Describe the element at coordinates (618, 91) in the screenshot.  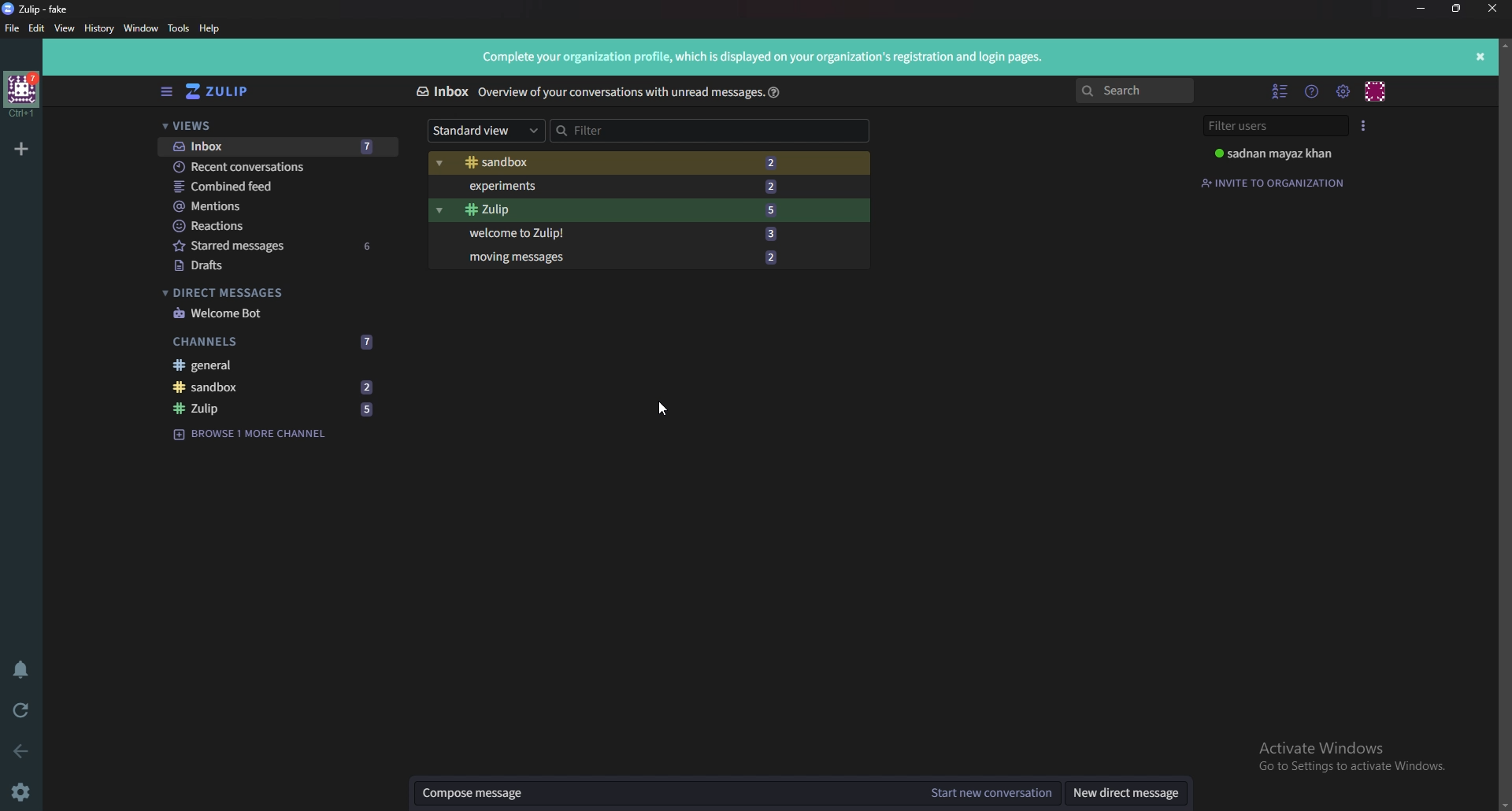
I see `Overview of your conversations with unread message:` at that location.